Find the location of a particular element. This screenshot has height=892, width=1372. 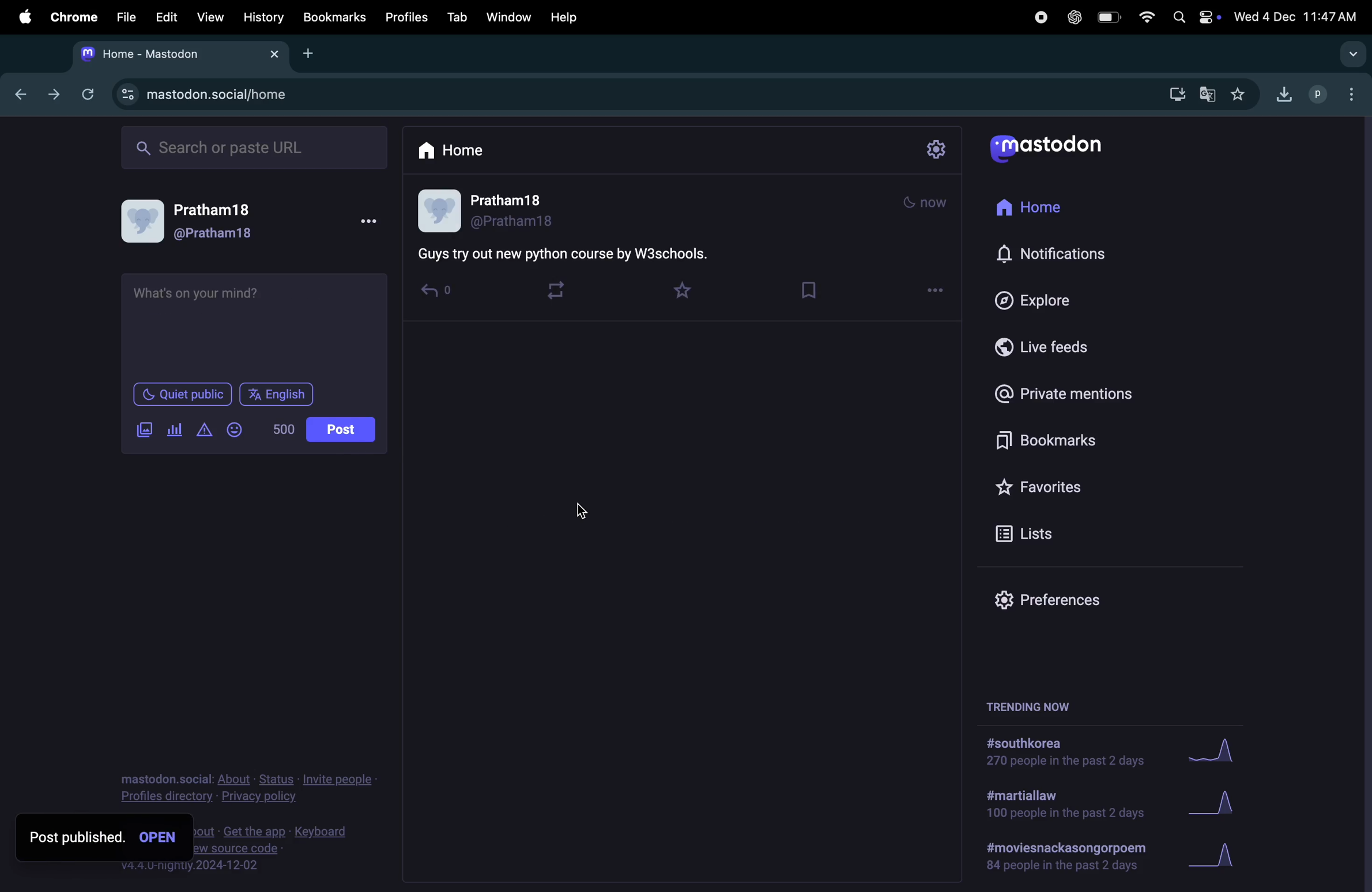

boost is located at coordinates (562, 293).